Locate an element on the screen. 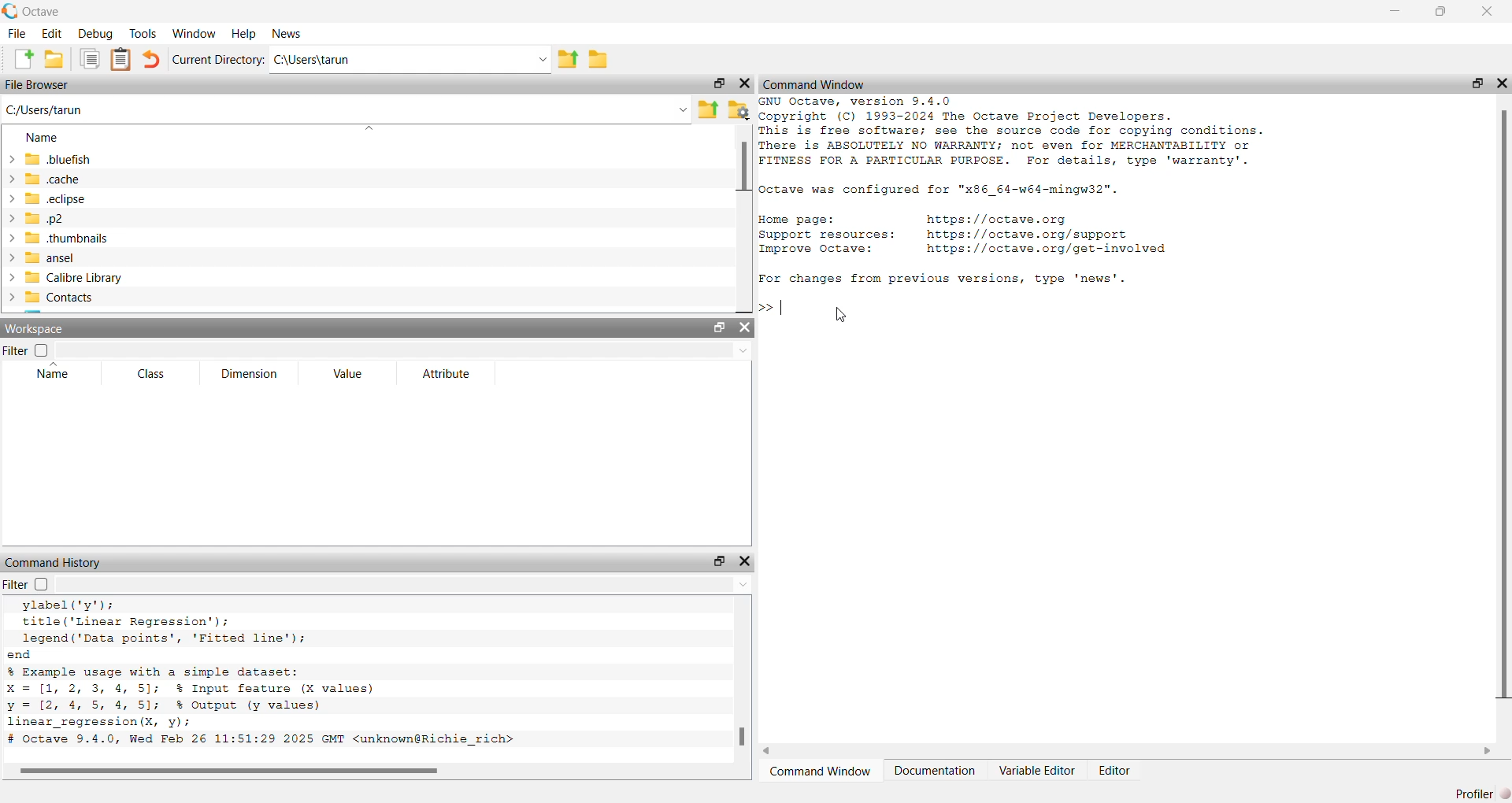 This screenshot has height=803, width=1512. command window is located at coordinates (817, 84).